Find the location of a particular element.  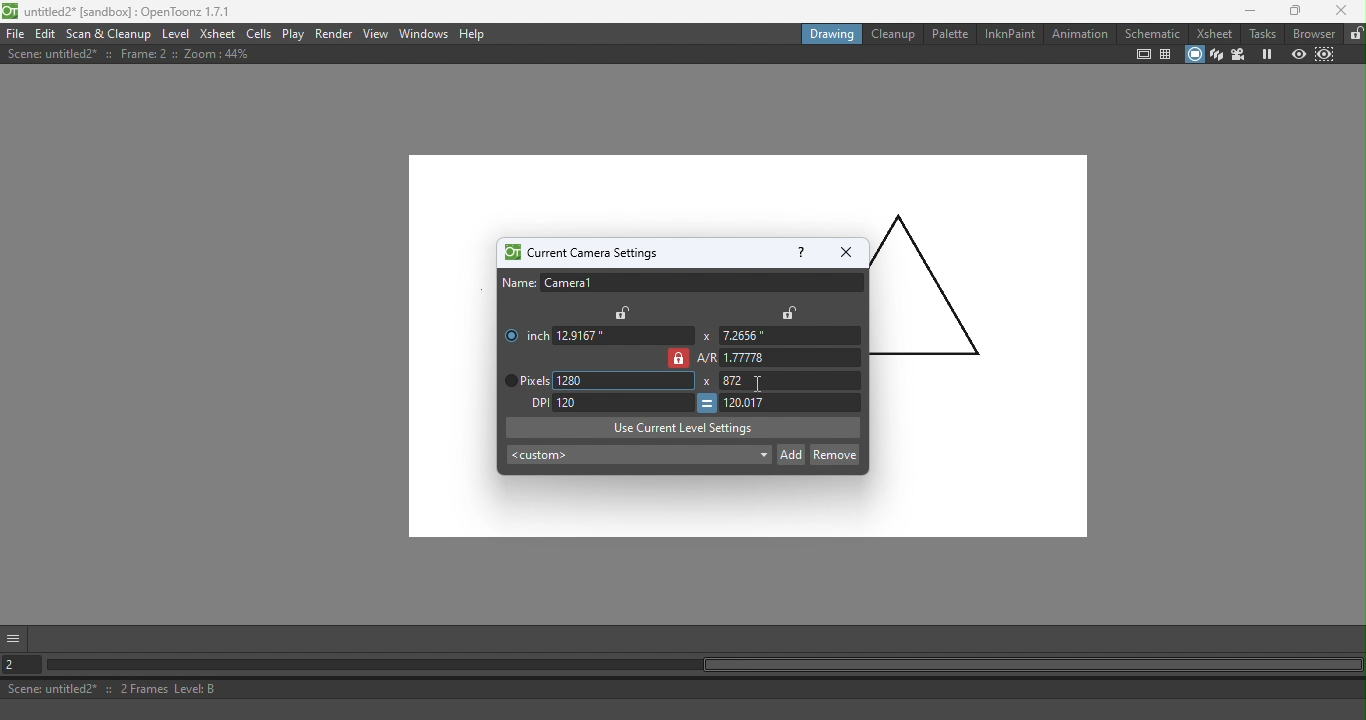

Enter pixel is located at coordinates (792, 404).